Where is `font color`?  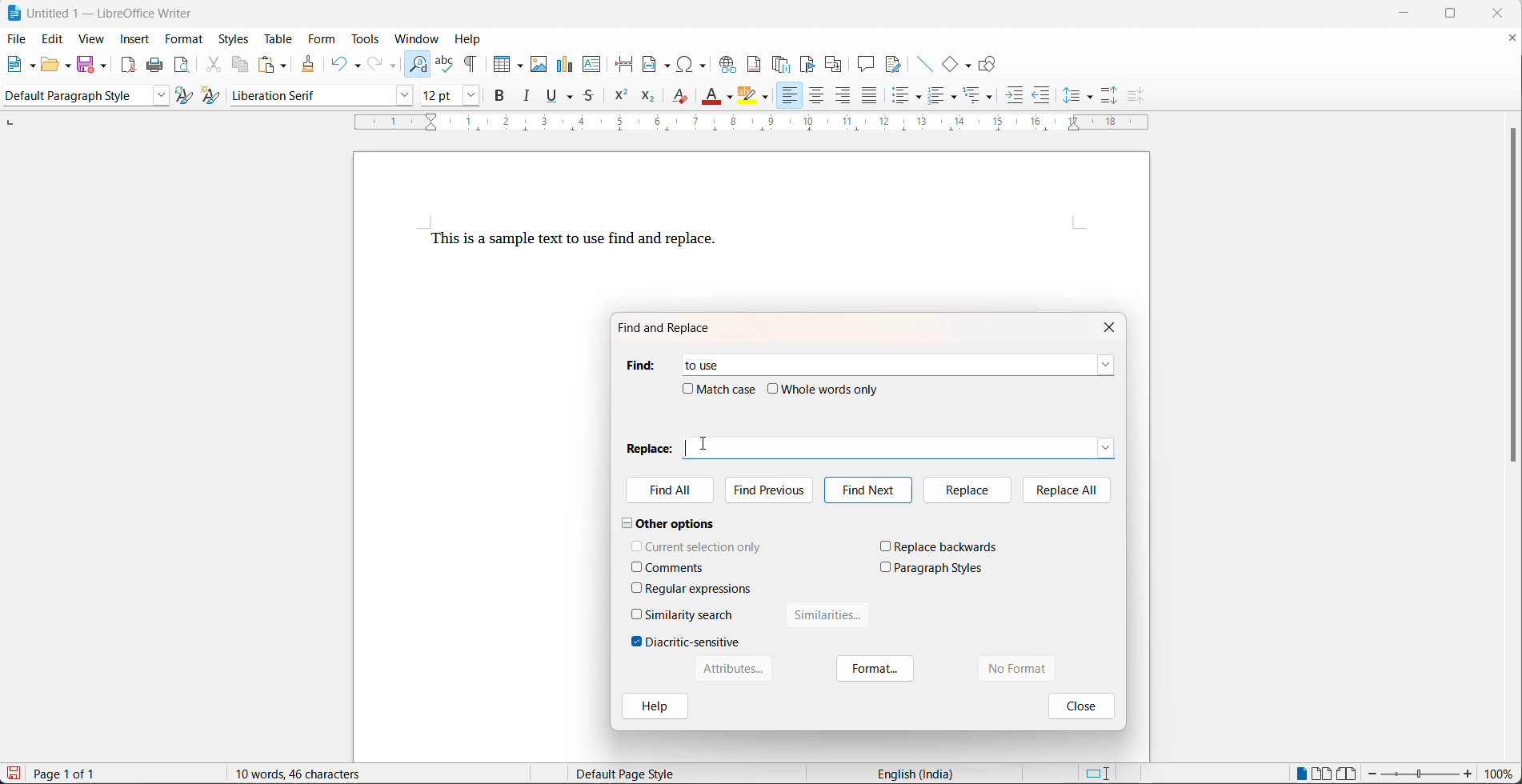 font color is located at coordinates (712, 95).